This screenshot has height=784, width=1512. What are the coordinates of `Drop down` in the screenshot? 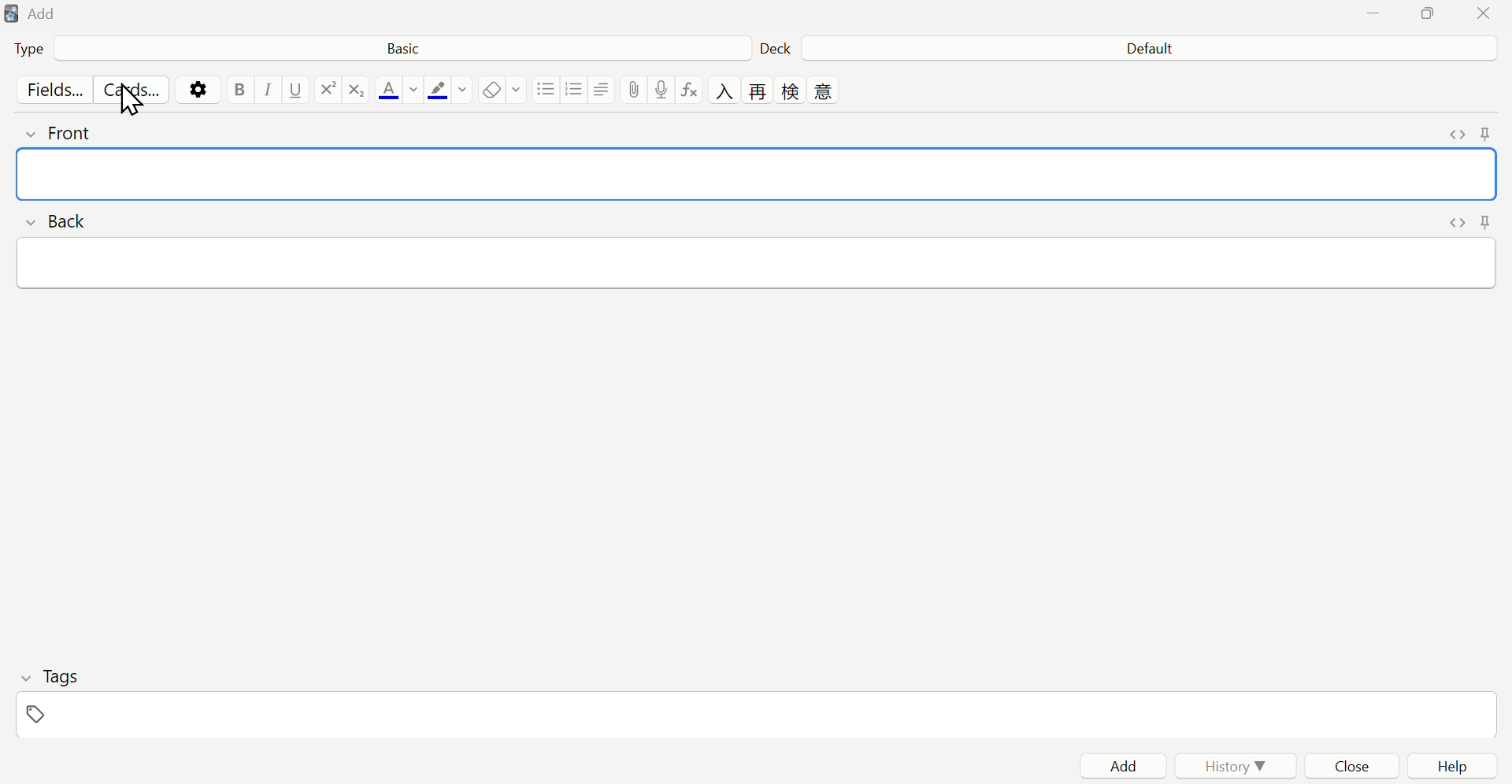 It's located at (519, 93).